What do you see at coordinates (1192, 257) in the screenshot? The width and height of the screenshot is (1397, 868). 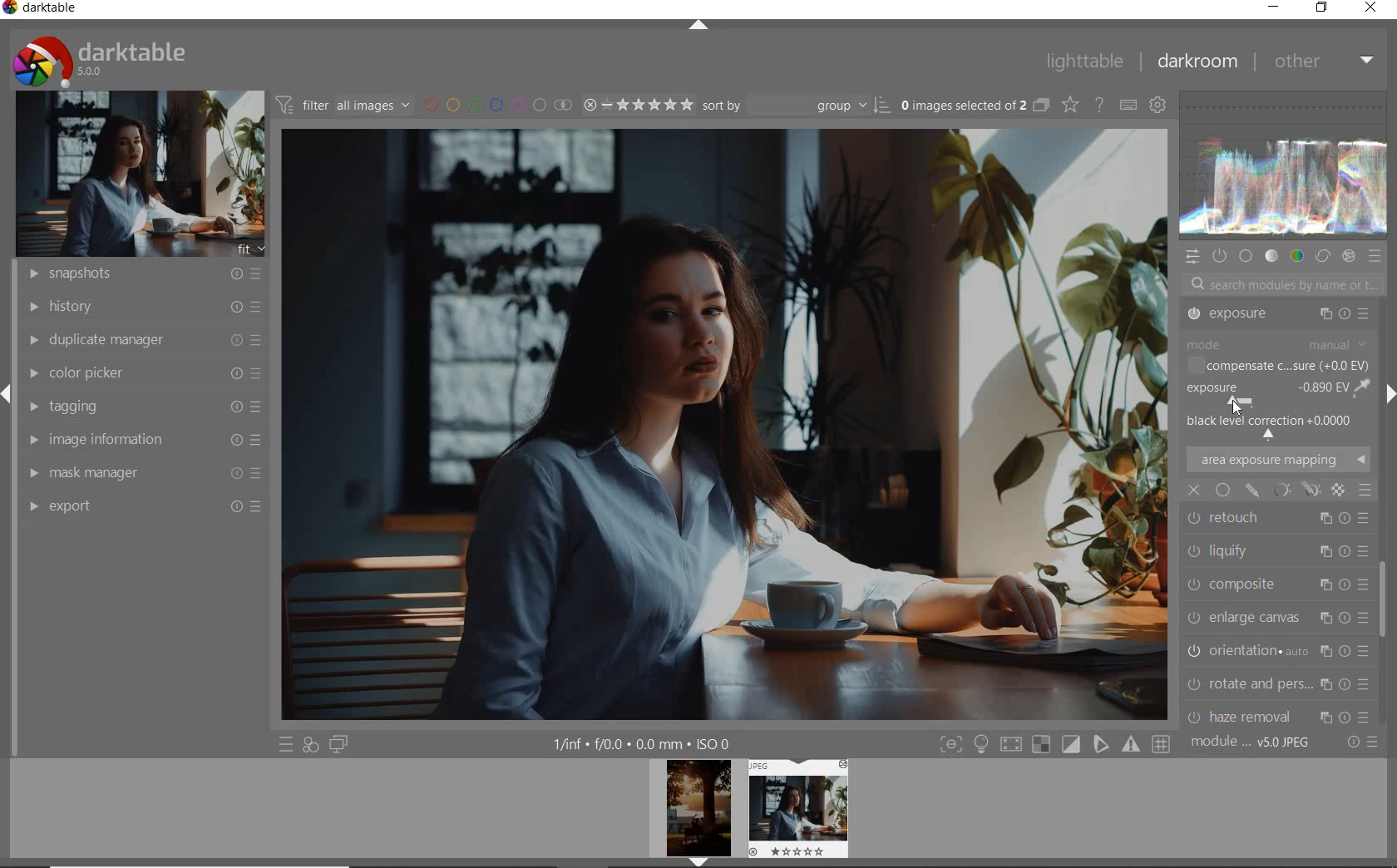 I see `QUICK ACCESS PANEL` at bounding box center [1192, 257].